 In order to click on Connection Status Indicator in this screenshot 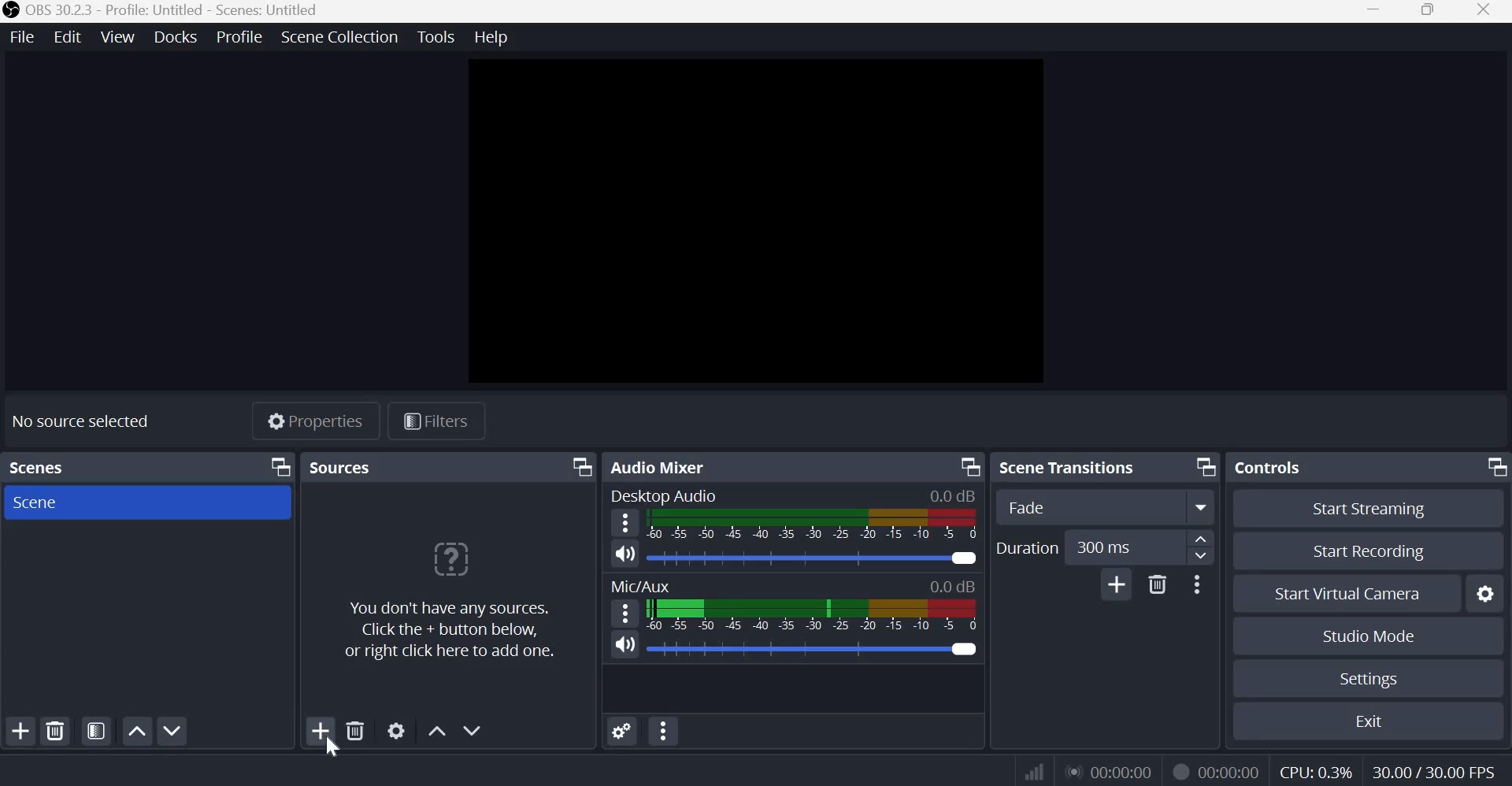, I will do `click(1032, 772)`.